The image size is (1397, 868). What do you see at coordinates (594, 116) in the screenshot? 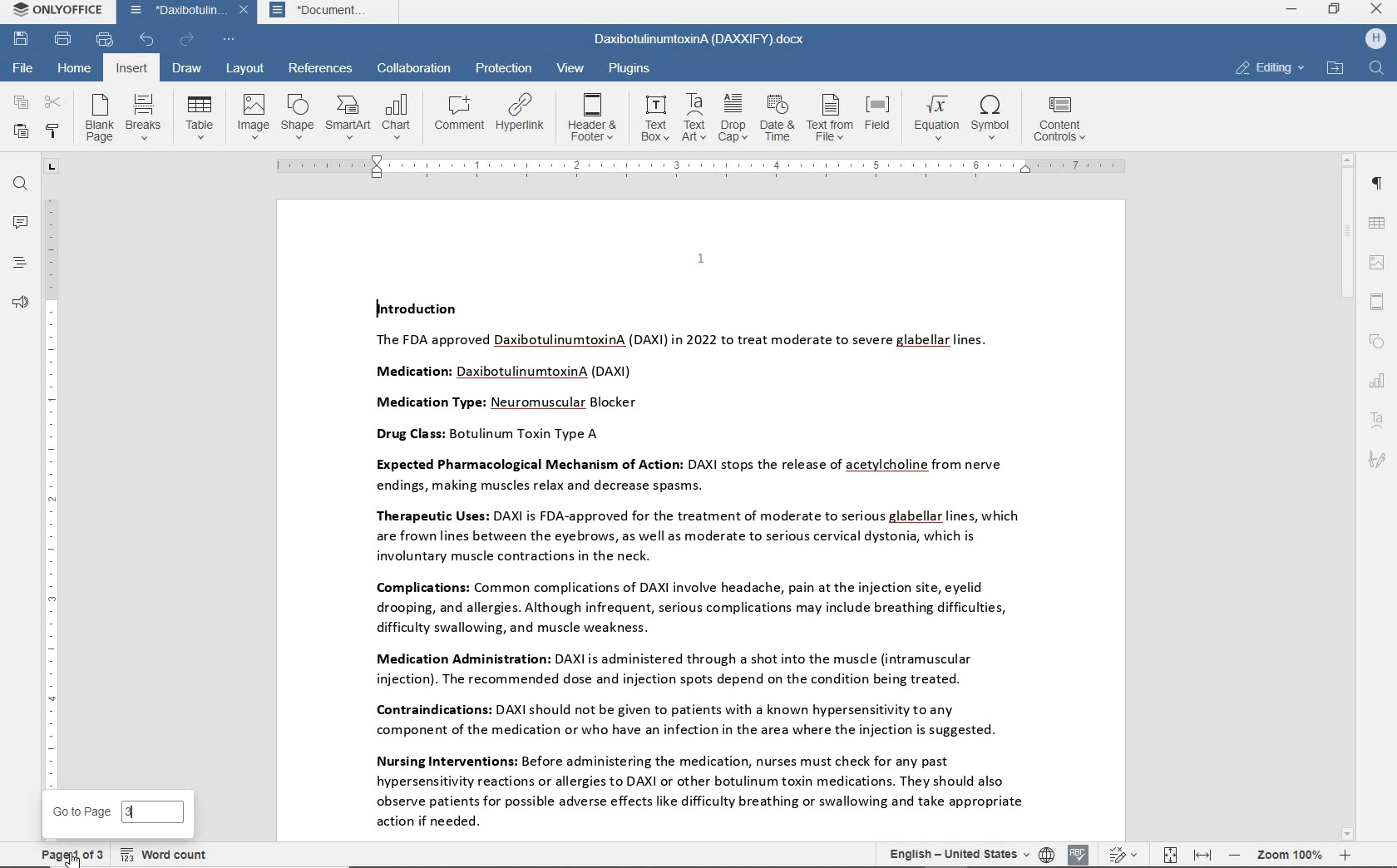
I see `header & footer` at bounding box center [594, 116].